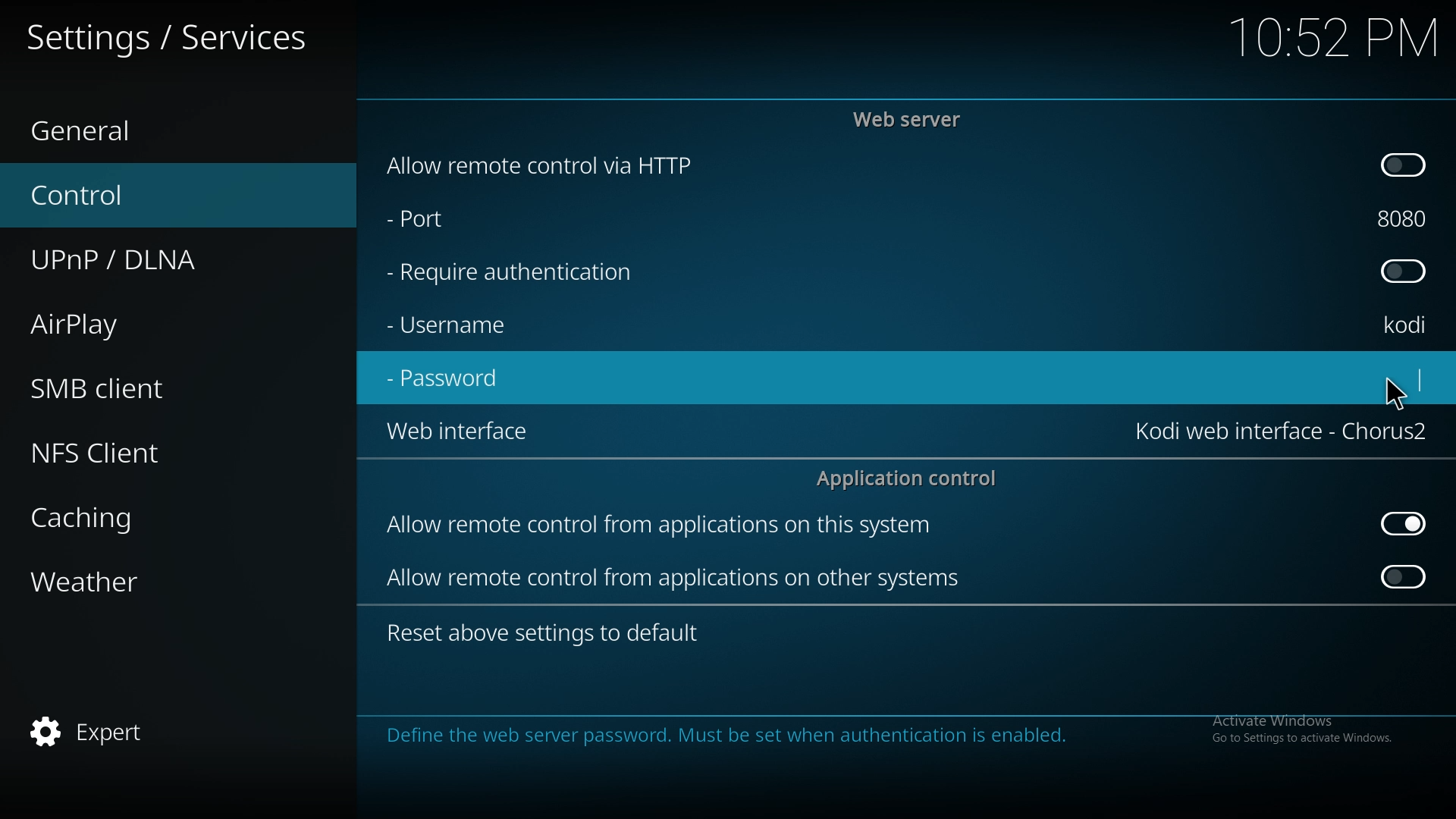 This screenshot has width=1456, height=819. I want to click on weather, so click(158, 580).